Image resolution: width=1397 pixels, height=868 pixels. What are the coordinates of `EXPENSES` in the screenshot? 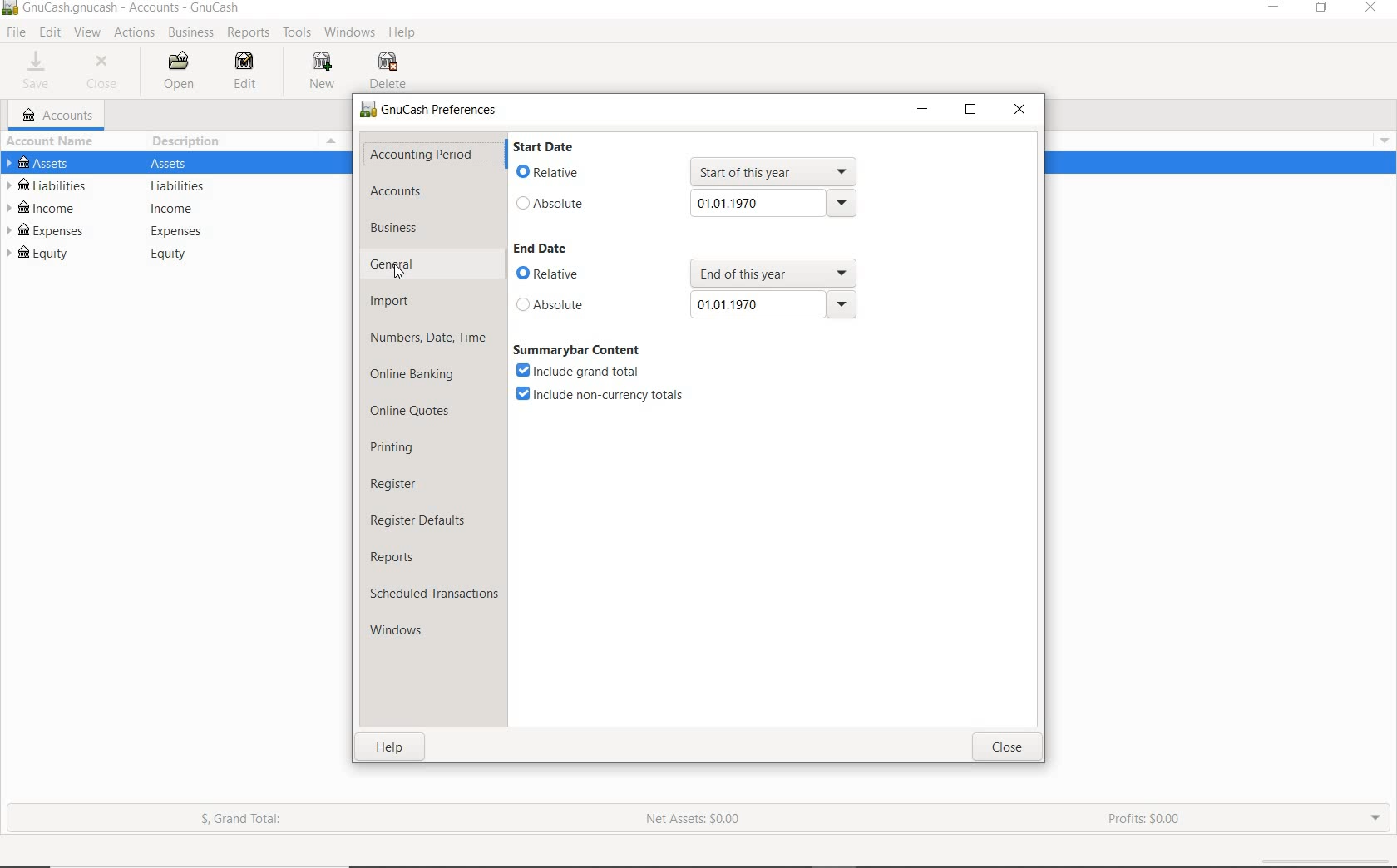 It's located at (171, 230).